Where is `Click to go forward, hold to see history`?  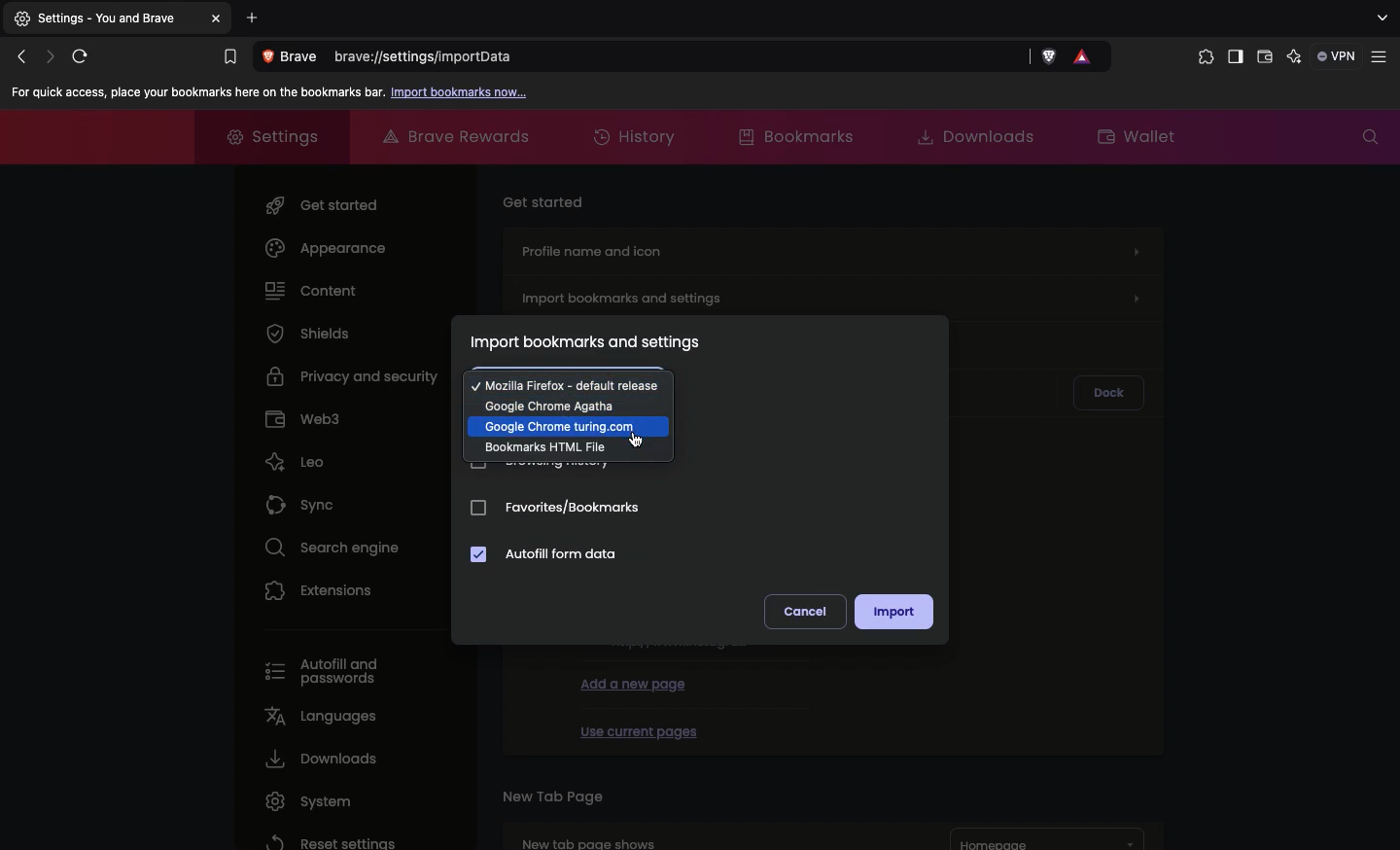
Click to go forward, hold to see history is located at coordinates (51, 55).